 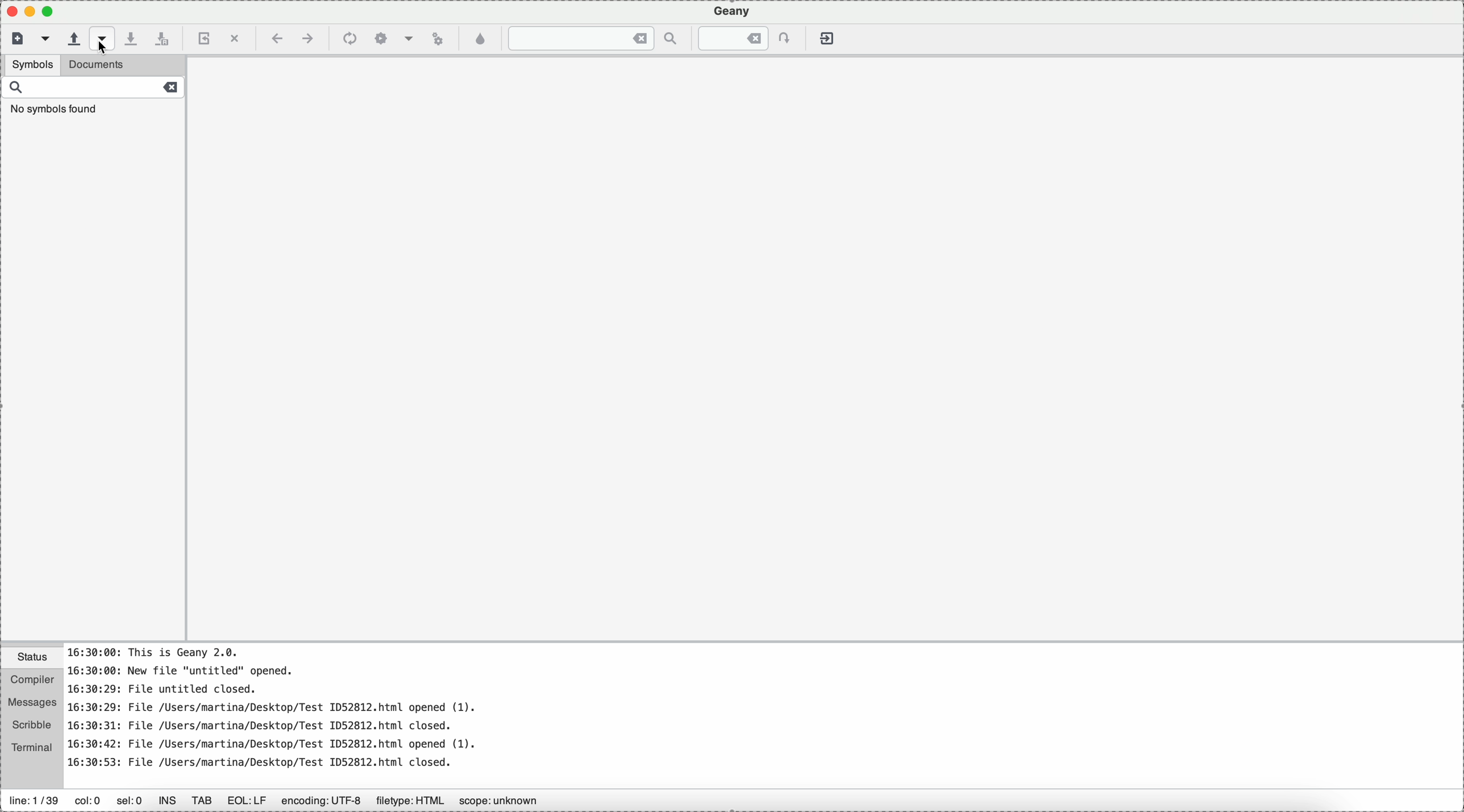 I want to click on line:1/39 col:0 sel:0 INS TAB EOL:LF encoding:UTF-8 filetype: HTML scope: unknown, so click(x=289, y=797).